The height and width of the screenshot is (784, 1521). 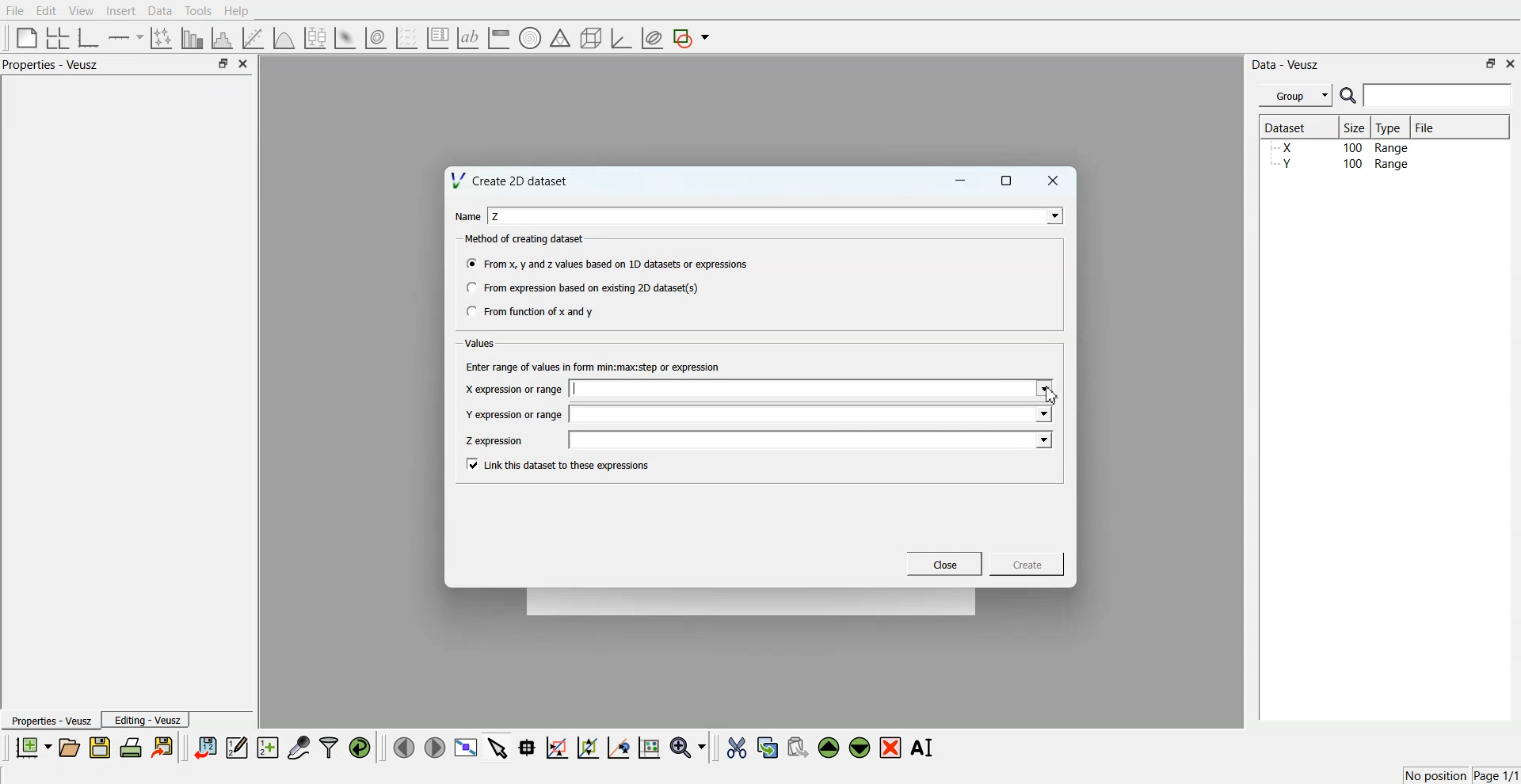 I want to click on Create, so click(x=1027, y=563).